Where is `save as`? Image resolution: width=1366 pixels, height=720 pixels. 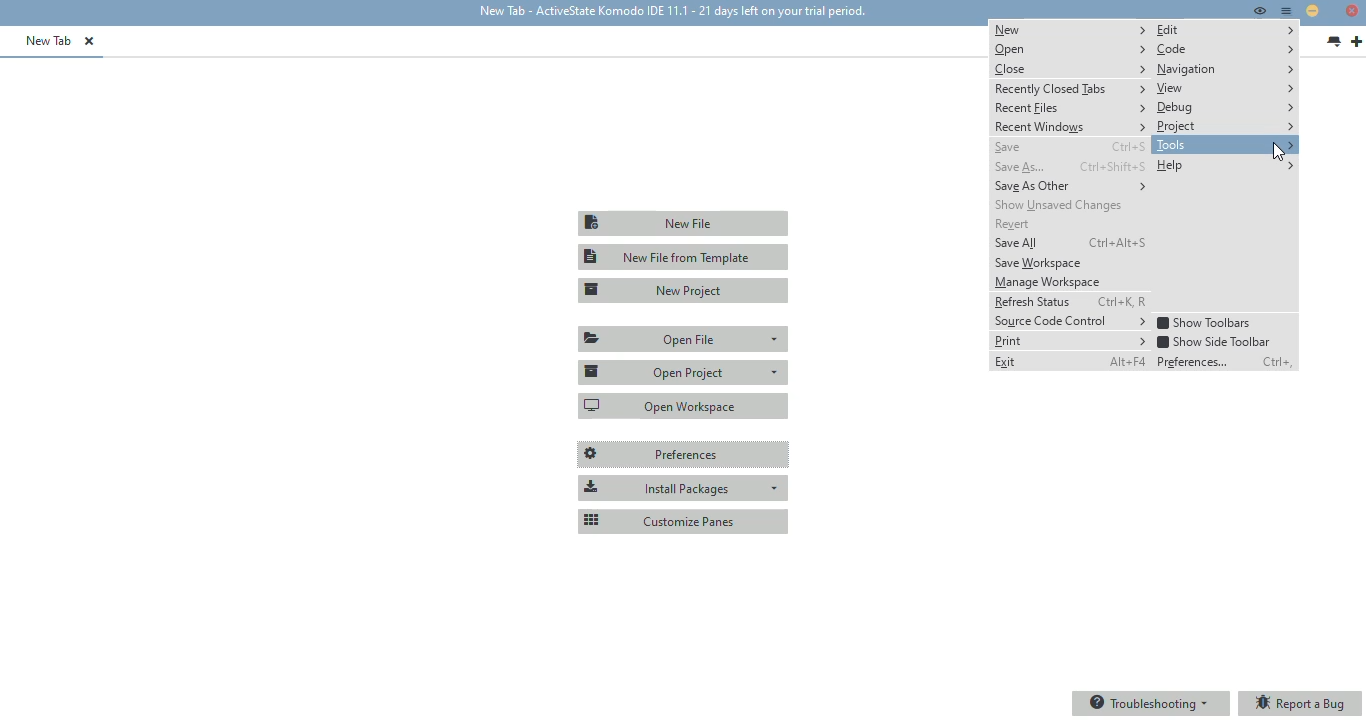 save as is located at coordinates (1021, 168).